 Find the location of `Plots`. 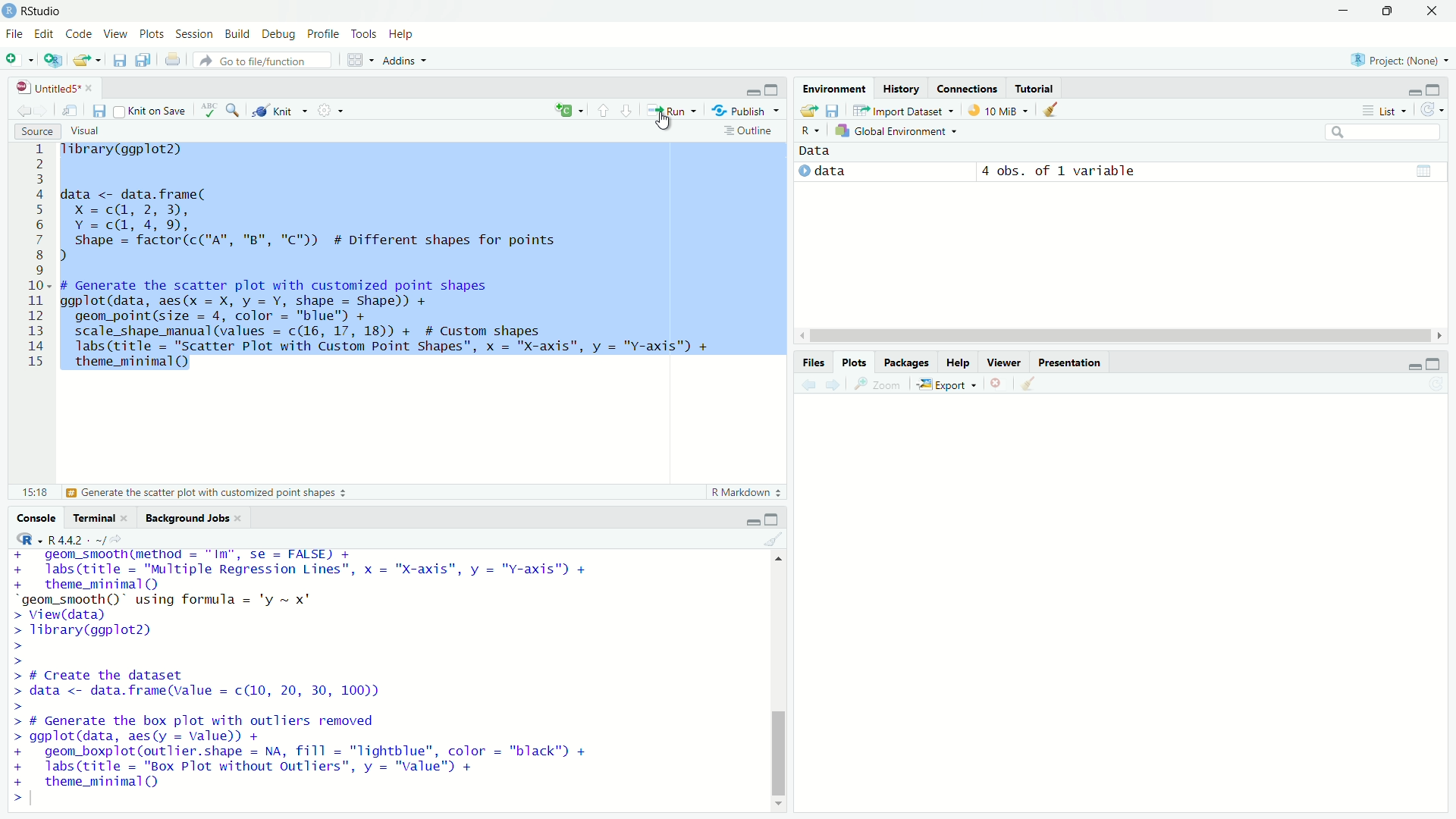

Plots is located at coordinates (152, 33).